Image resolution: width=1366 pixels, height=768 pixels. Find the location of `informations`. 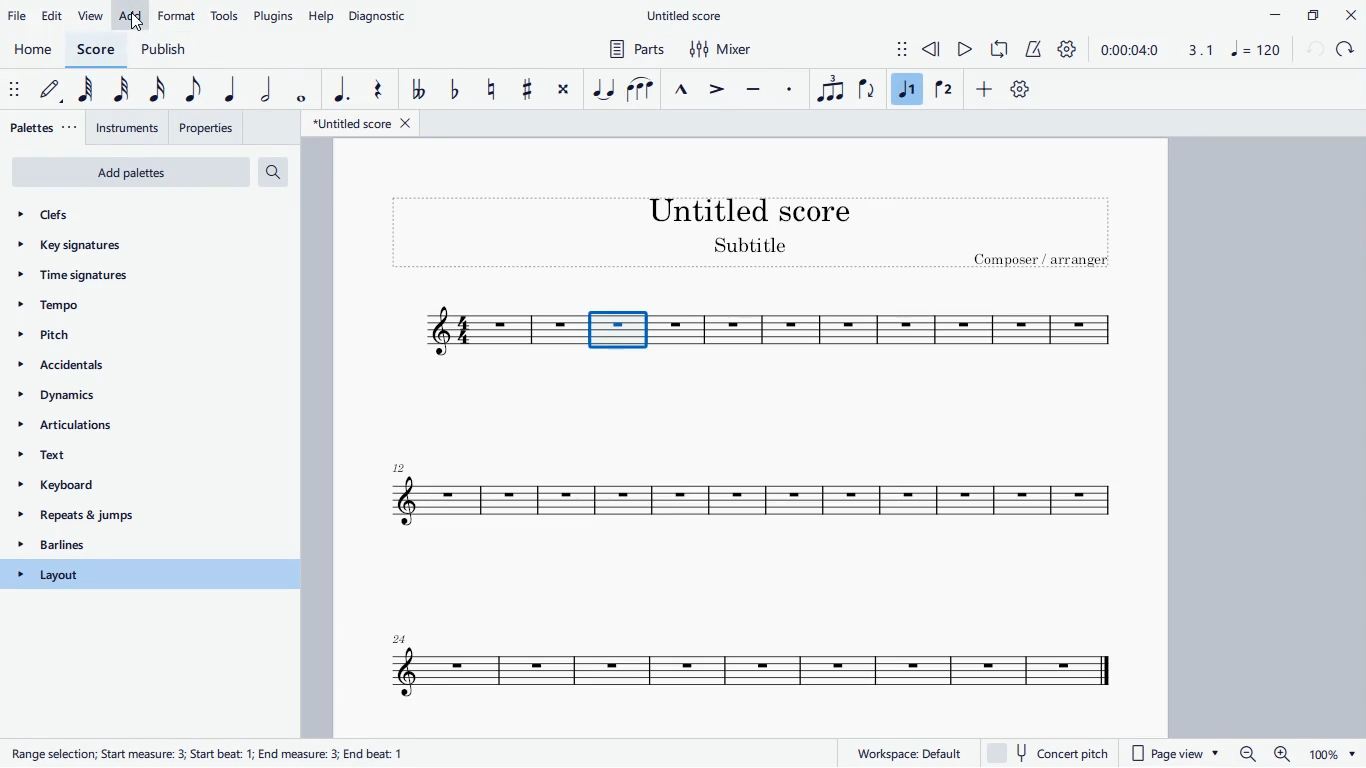

informations is located at coordinates (211, 751).